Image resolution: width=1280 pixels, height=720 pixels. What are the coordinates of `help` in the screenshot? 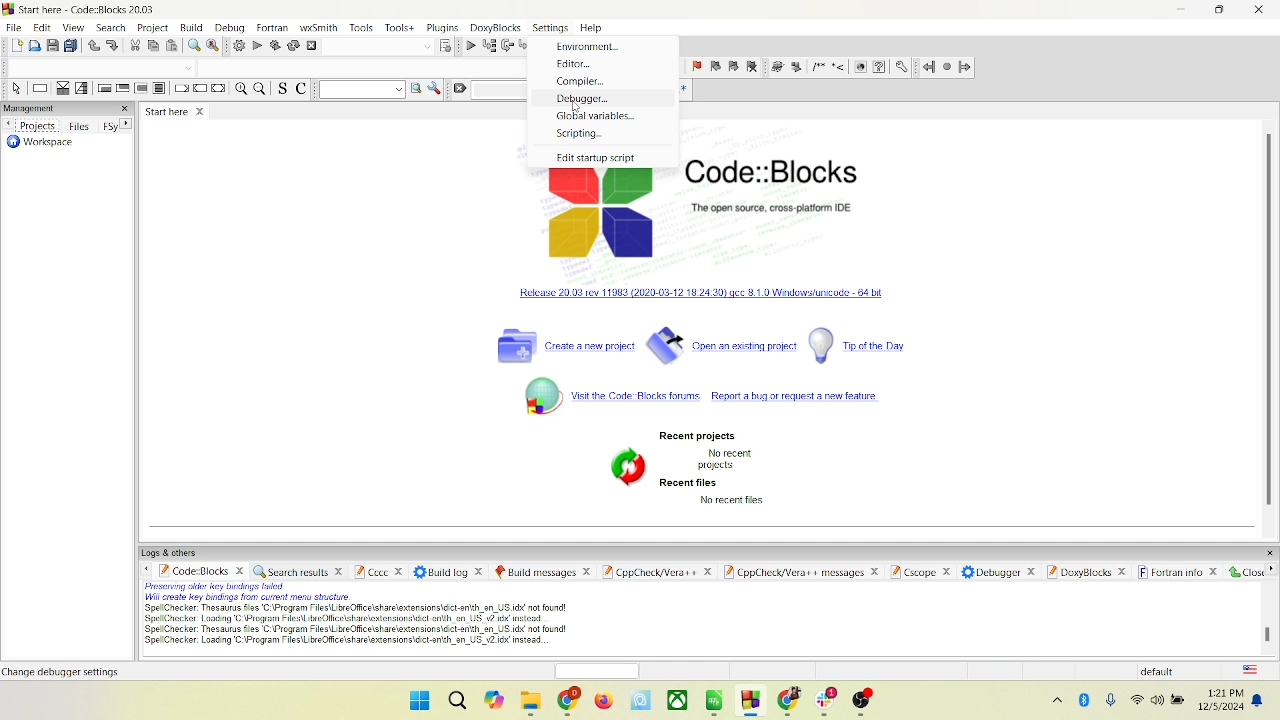 It's located at (879, 68).